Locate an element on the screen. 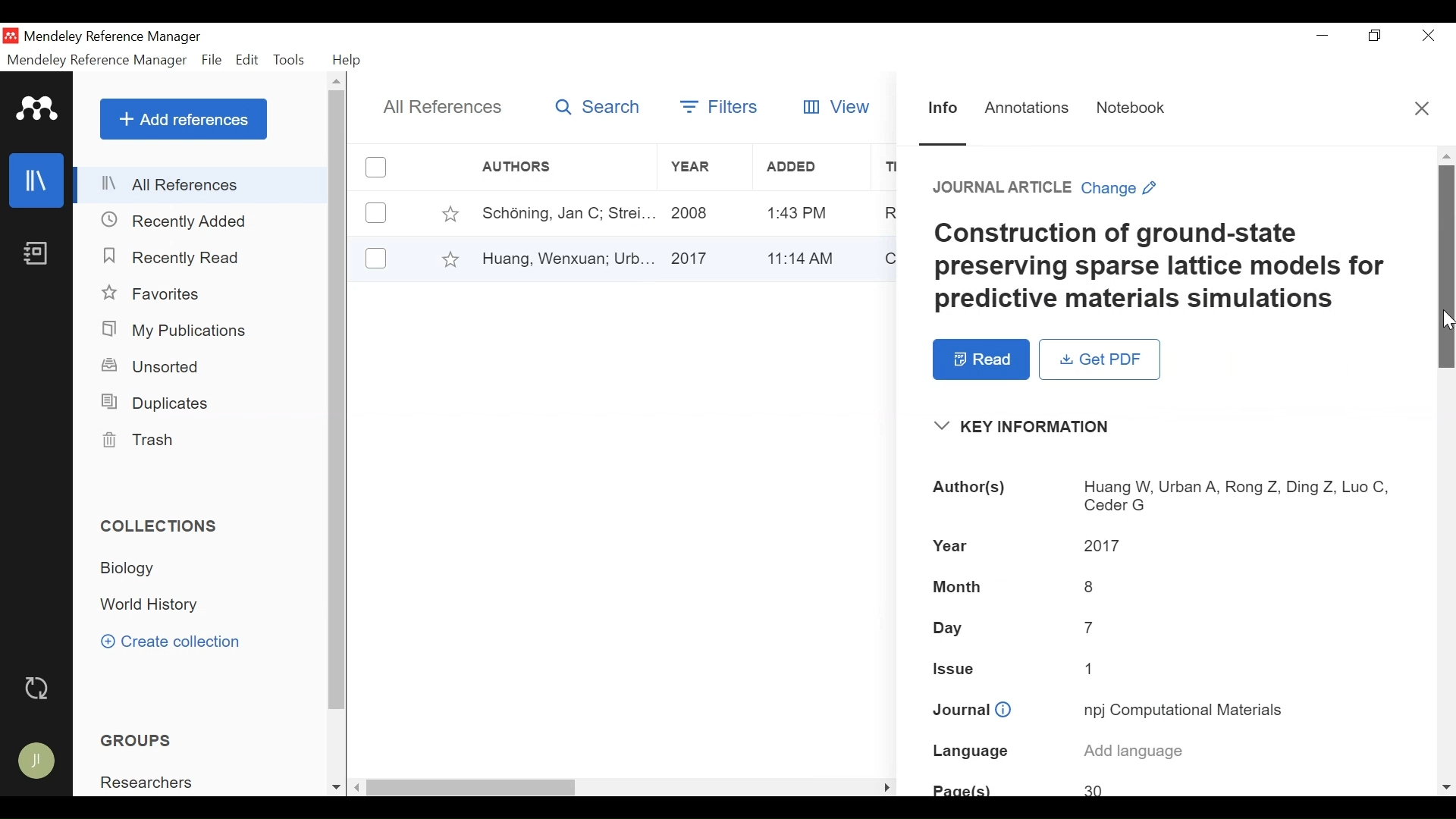 The height and width of the screenshot is (819, 1456). Issue is located at coordinates (1167, 670).